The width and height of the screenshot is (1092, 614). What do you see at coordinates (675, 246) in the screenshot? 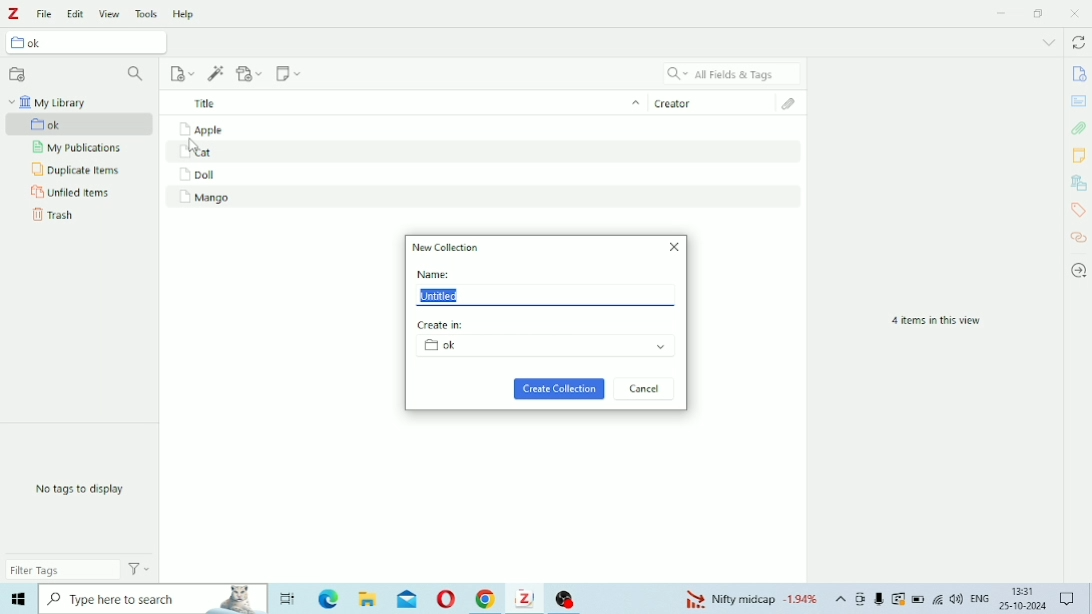
I see `Close` at bounding box center [675, 246].